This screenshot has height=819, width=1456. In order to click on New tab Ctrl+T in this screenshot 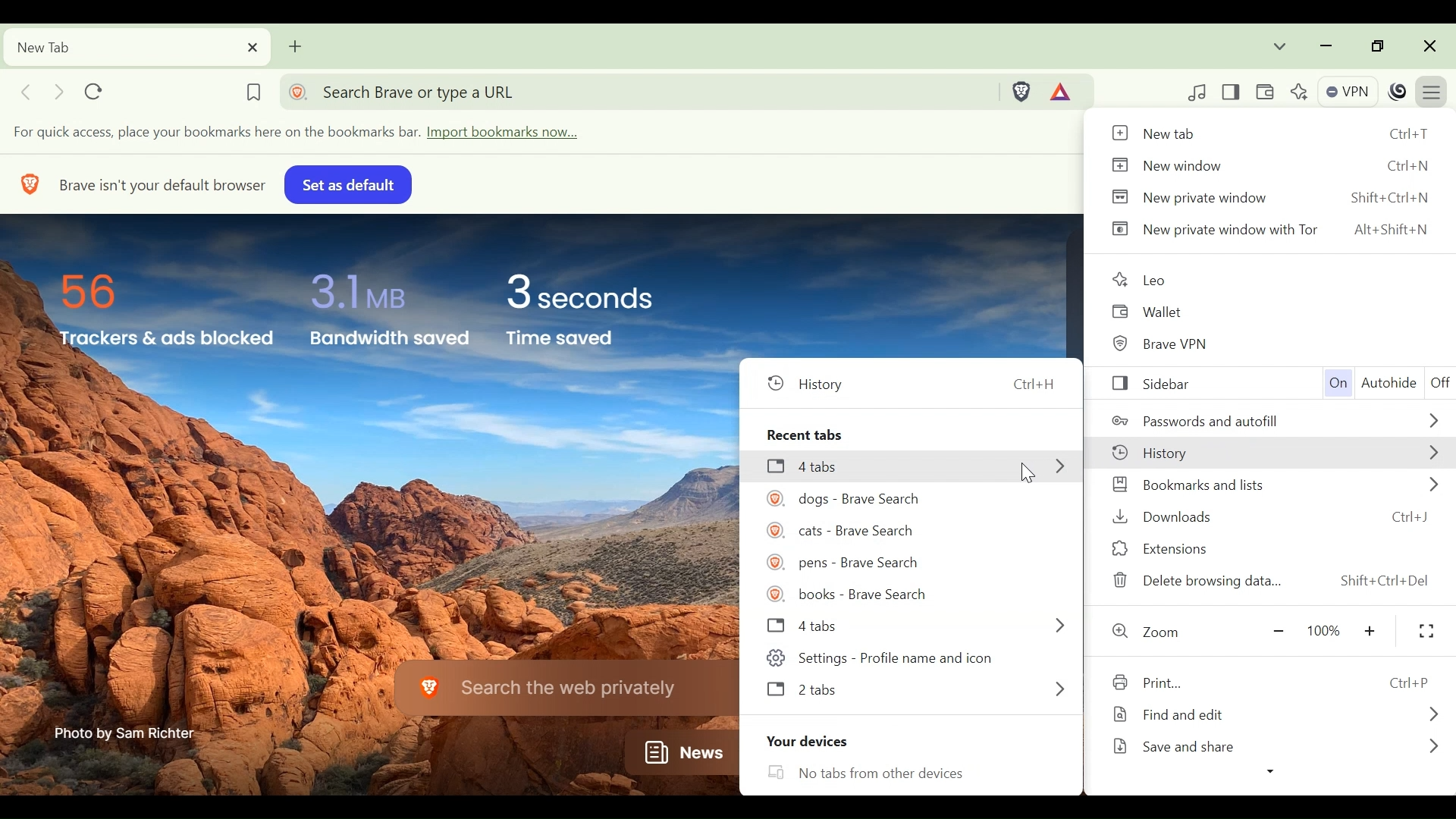, I will do `click(1271, 134)`.